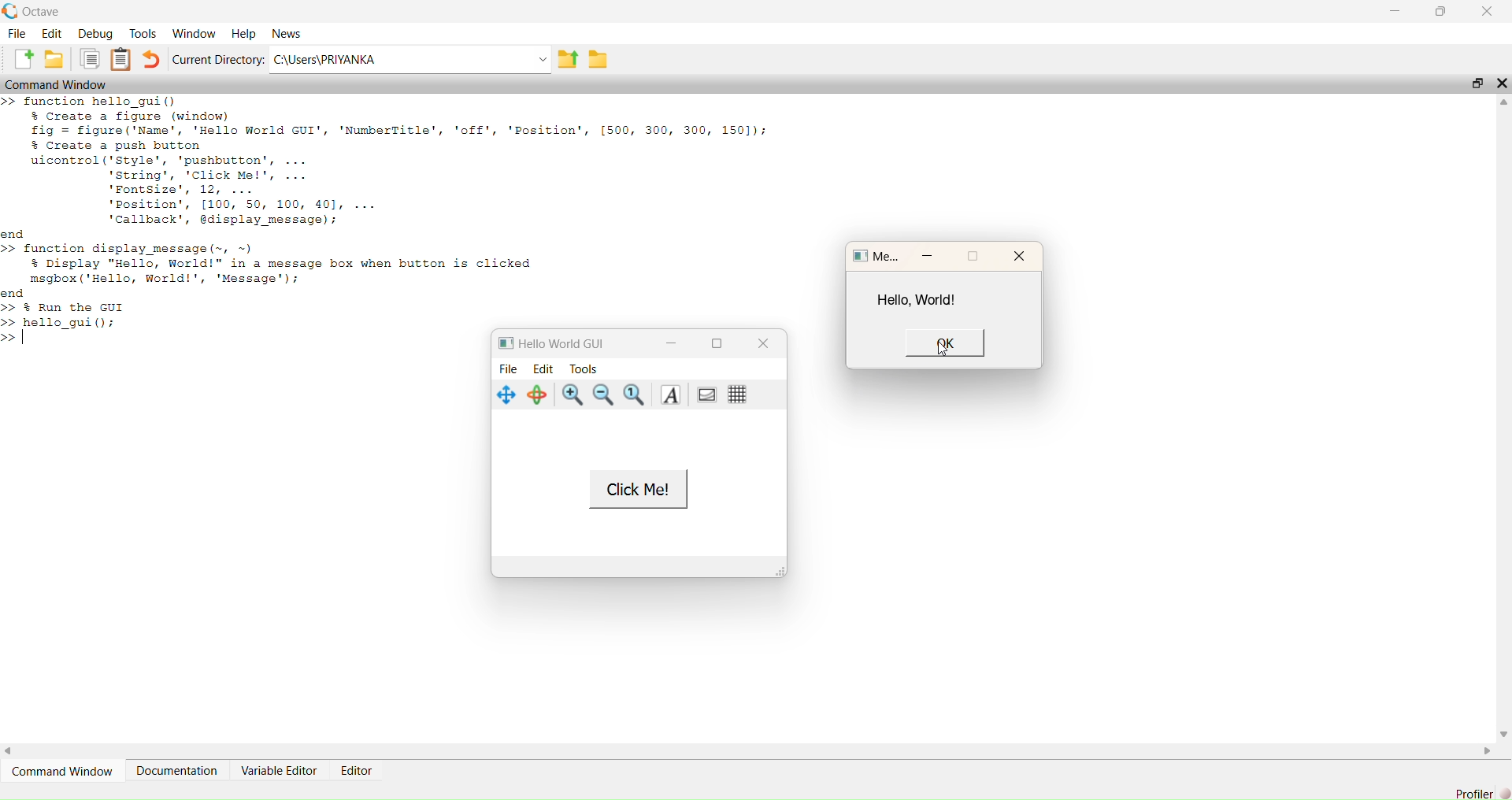 This screenshot has height=800, width=1512. I want to click on Tools, so click(588, 368).